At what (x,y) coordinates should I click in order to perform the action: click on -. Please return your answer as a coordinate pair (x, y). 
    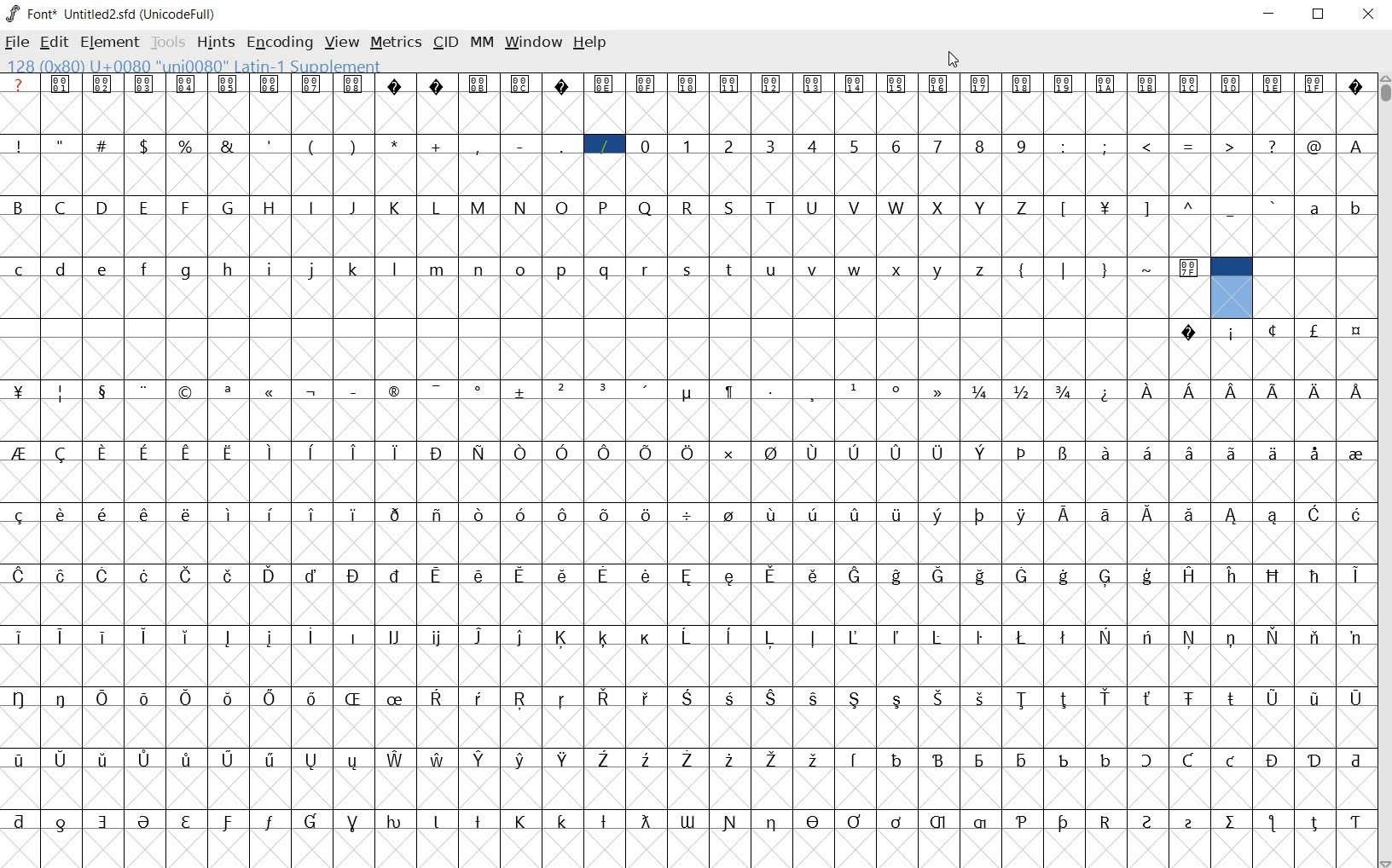
    Looking at the image, I should click on (519, 145).